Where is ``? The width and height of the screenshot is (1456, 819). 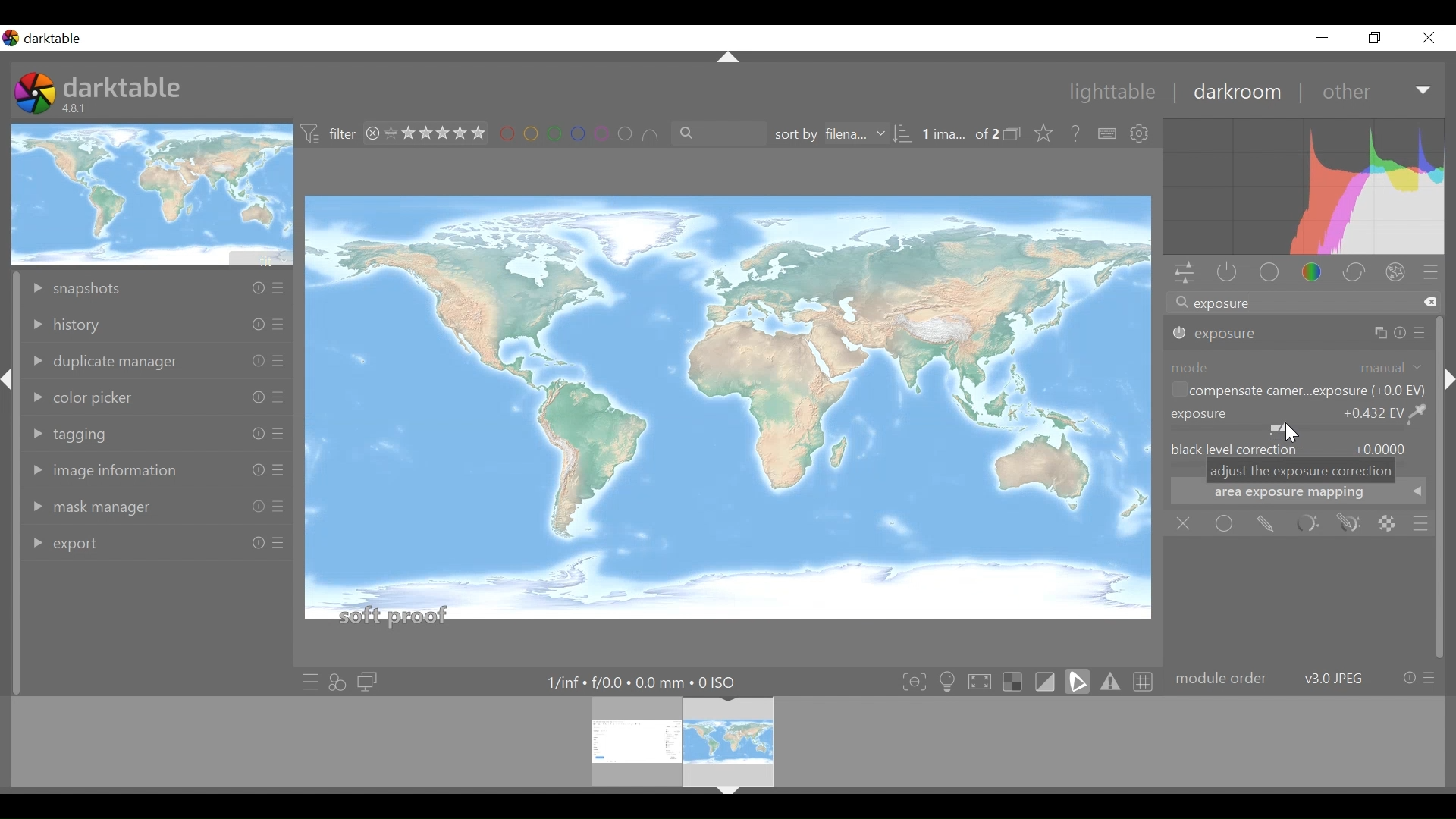
 is located at coordinates (1447, 395).